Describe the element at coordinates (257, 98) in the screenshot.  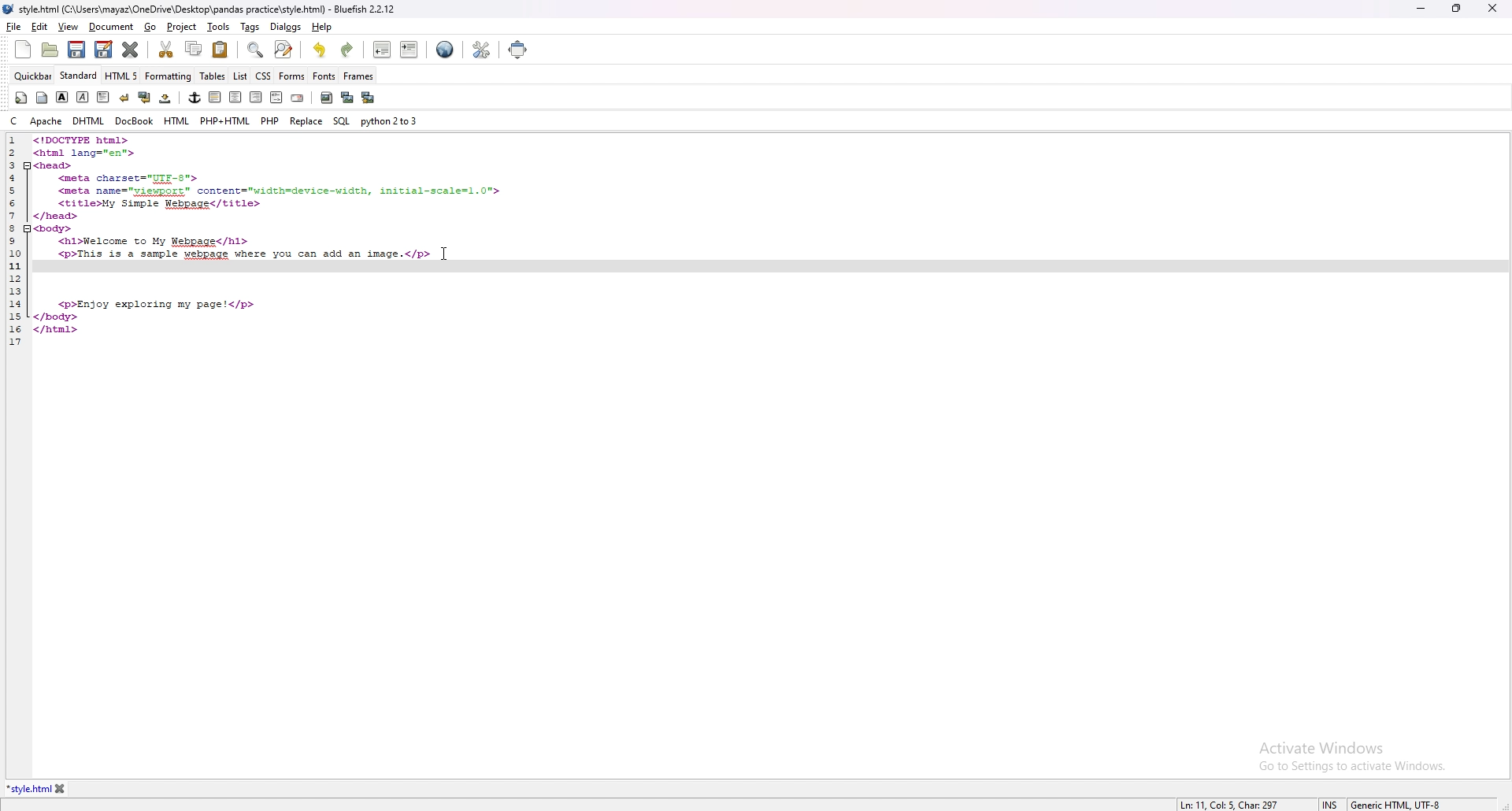
I see `right justify` at that location.